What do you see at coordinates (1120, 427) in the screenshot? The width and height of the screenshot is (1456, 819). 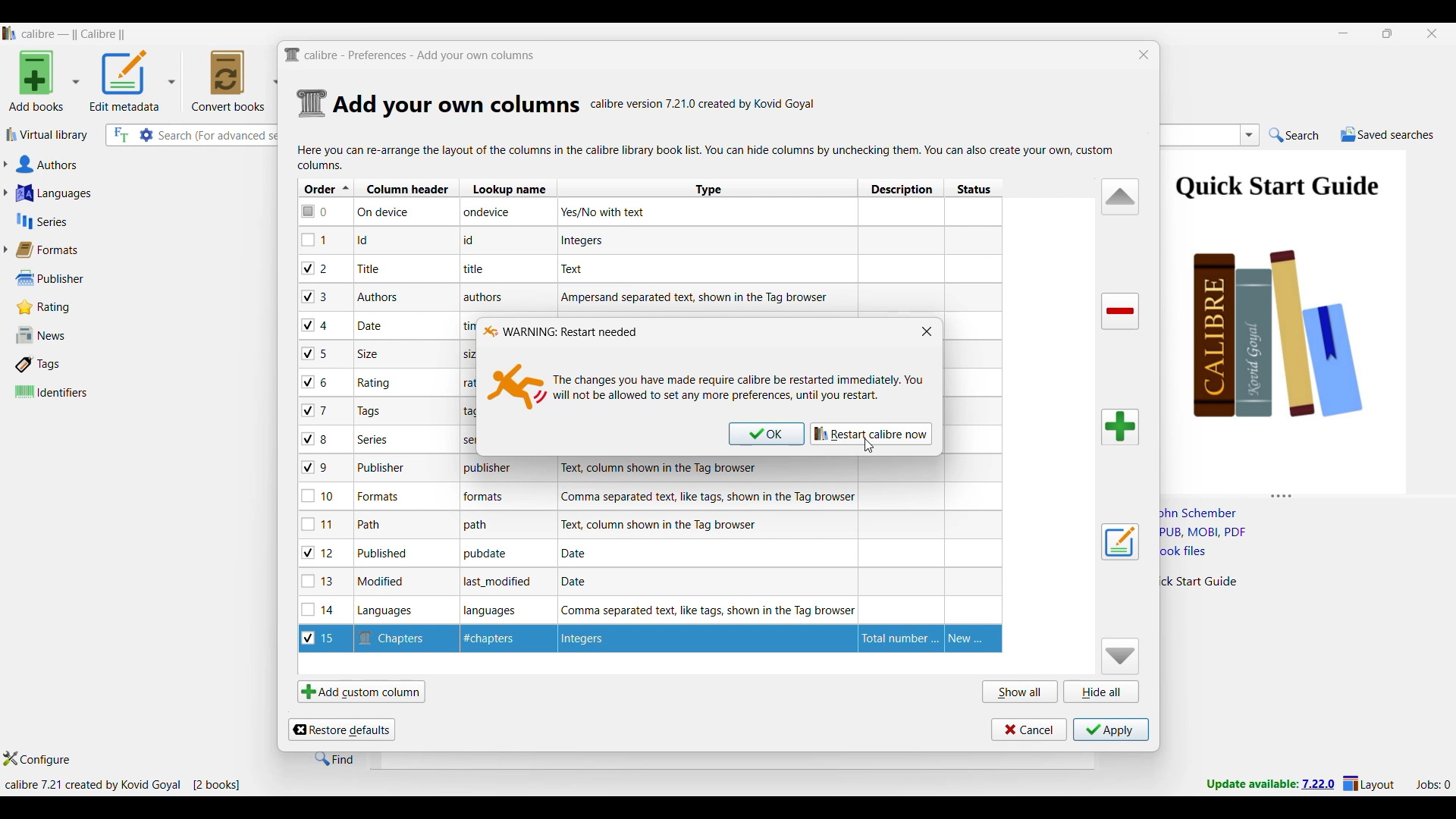 I see `Add column` at bounding box center [1120, 427].